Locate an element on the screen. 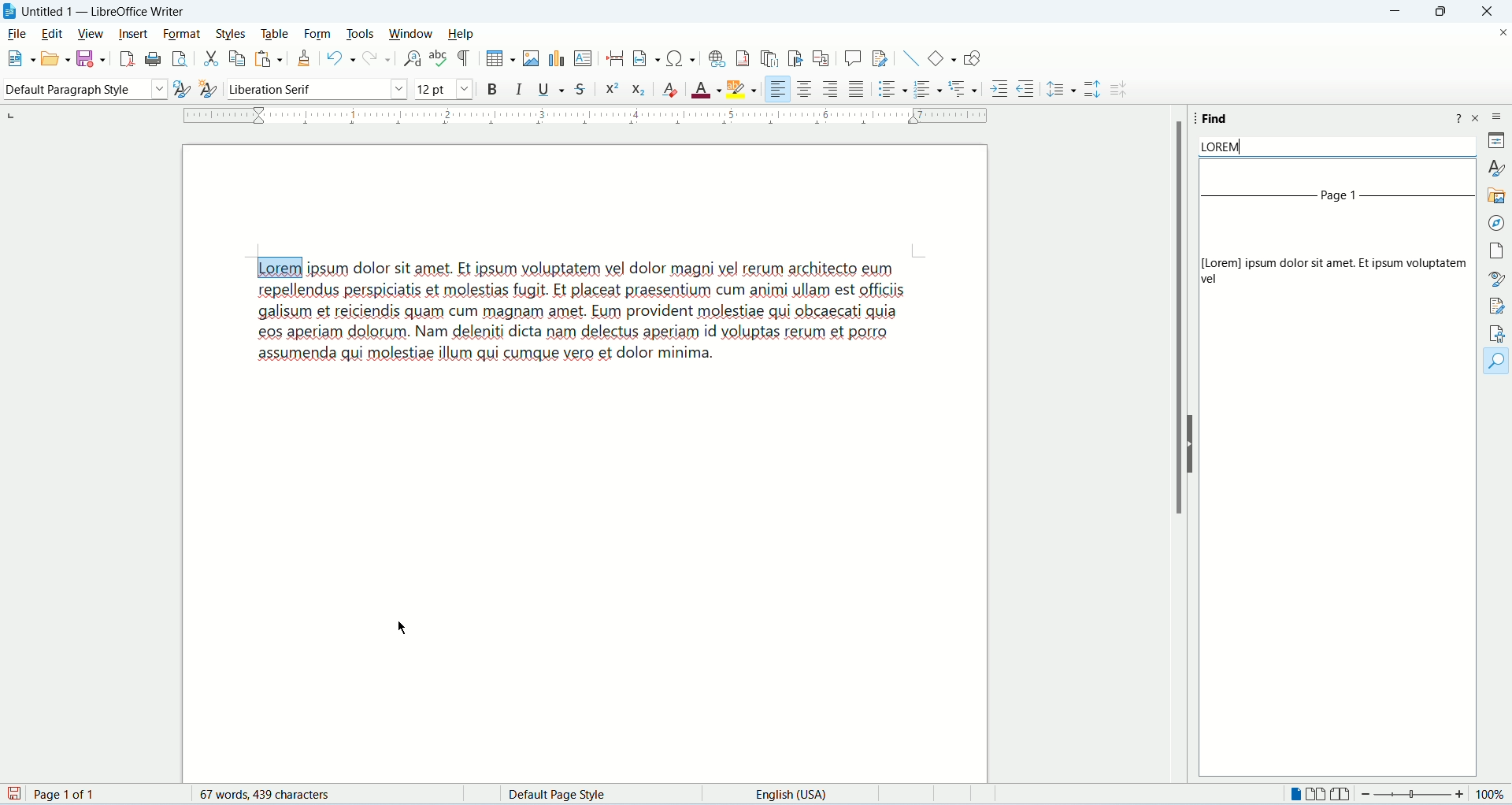 This screenshot has width=1512, height=805. page is located at coordinates (1494, 250).